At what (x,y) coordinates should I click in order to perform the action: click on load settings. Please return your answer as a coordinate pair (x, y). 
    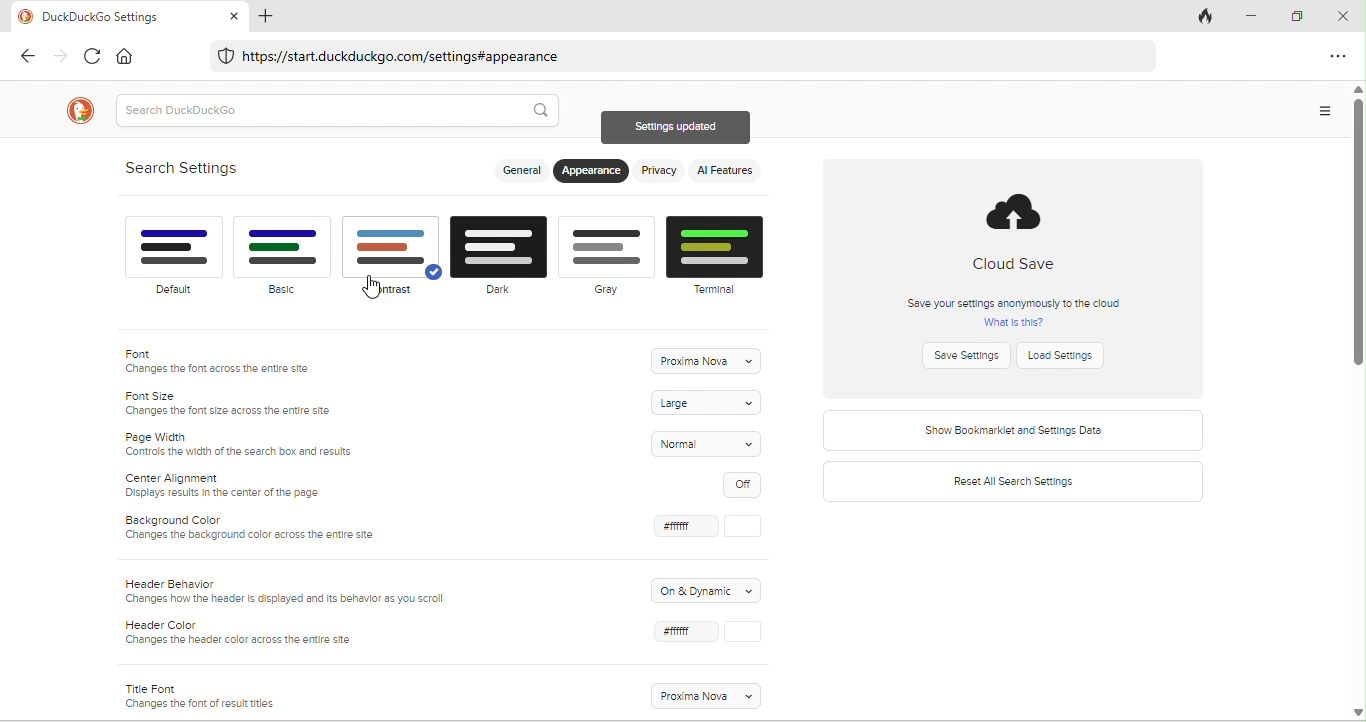
    Looking at the image, I should click on (1071, 356).